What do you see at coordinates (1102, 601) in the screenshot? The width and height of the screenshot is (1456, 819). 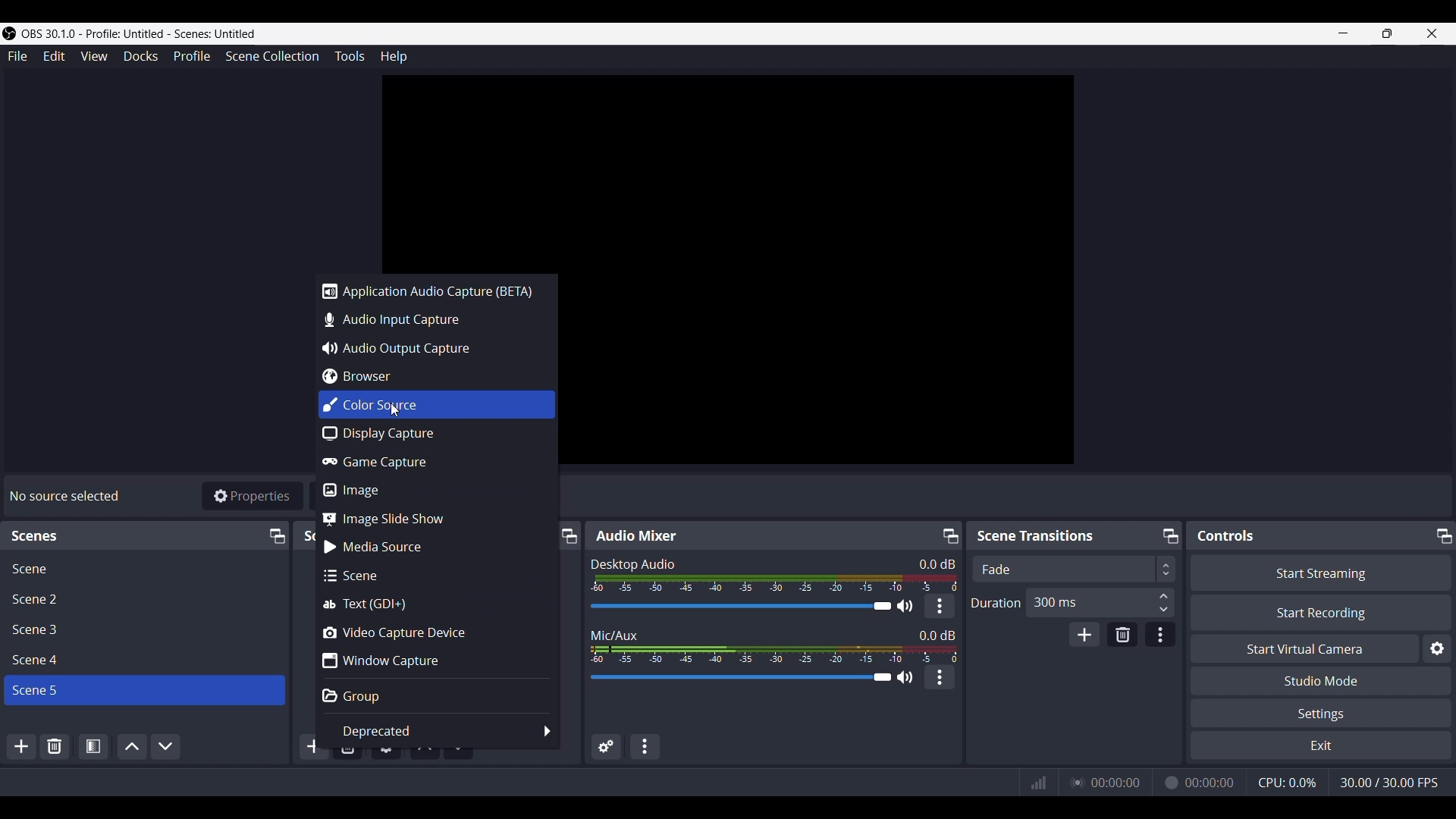 I see `300 ms` at bounding box center [1102, 601].